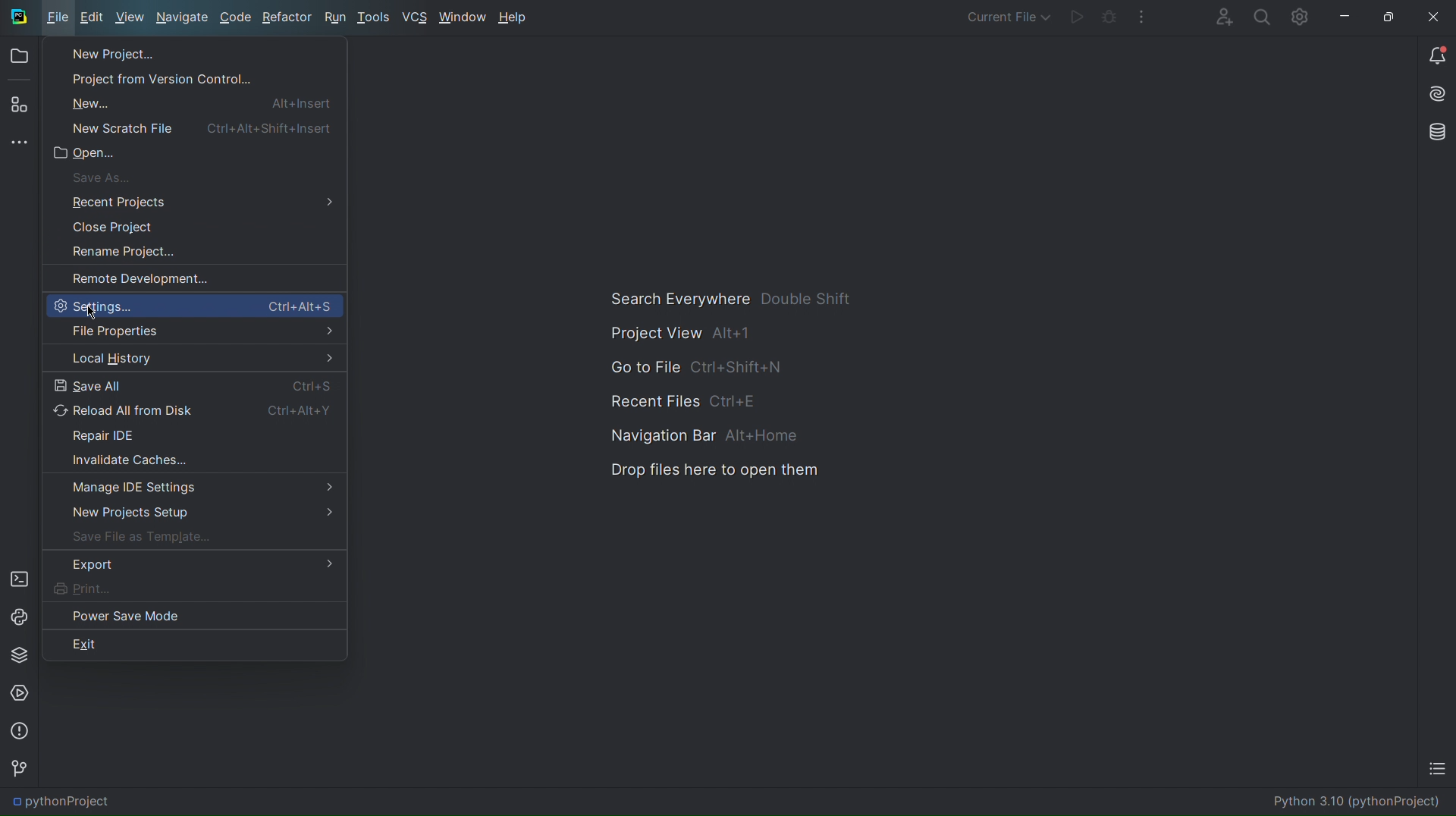 Image resolution: width=1456 pixels, height=816 pixels. What do you see at coordinates (96, 178) in the screenshot?
I see `Save As` at bounding box center [96, 178].